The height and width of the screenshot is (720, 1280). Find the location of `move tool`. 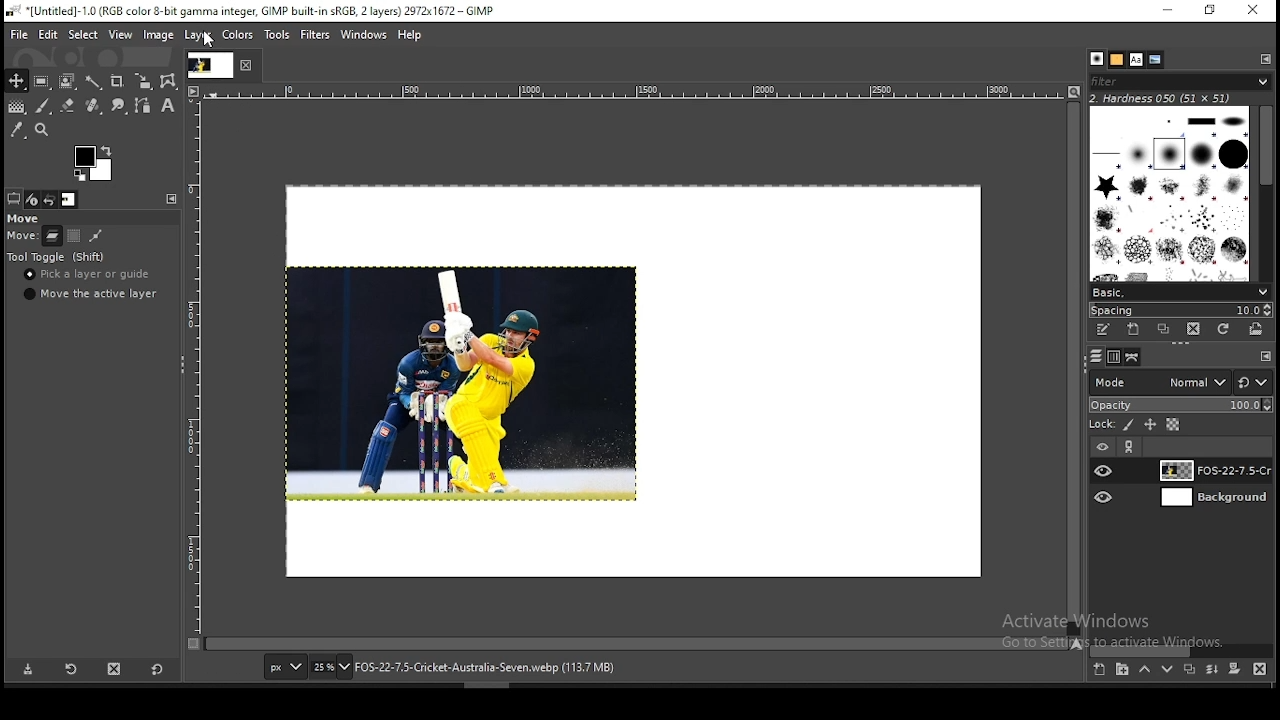

move tool is located at coordinates (16, 81).